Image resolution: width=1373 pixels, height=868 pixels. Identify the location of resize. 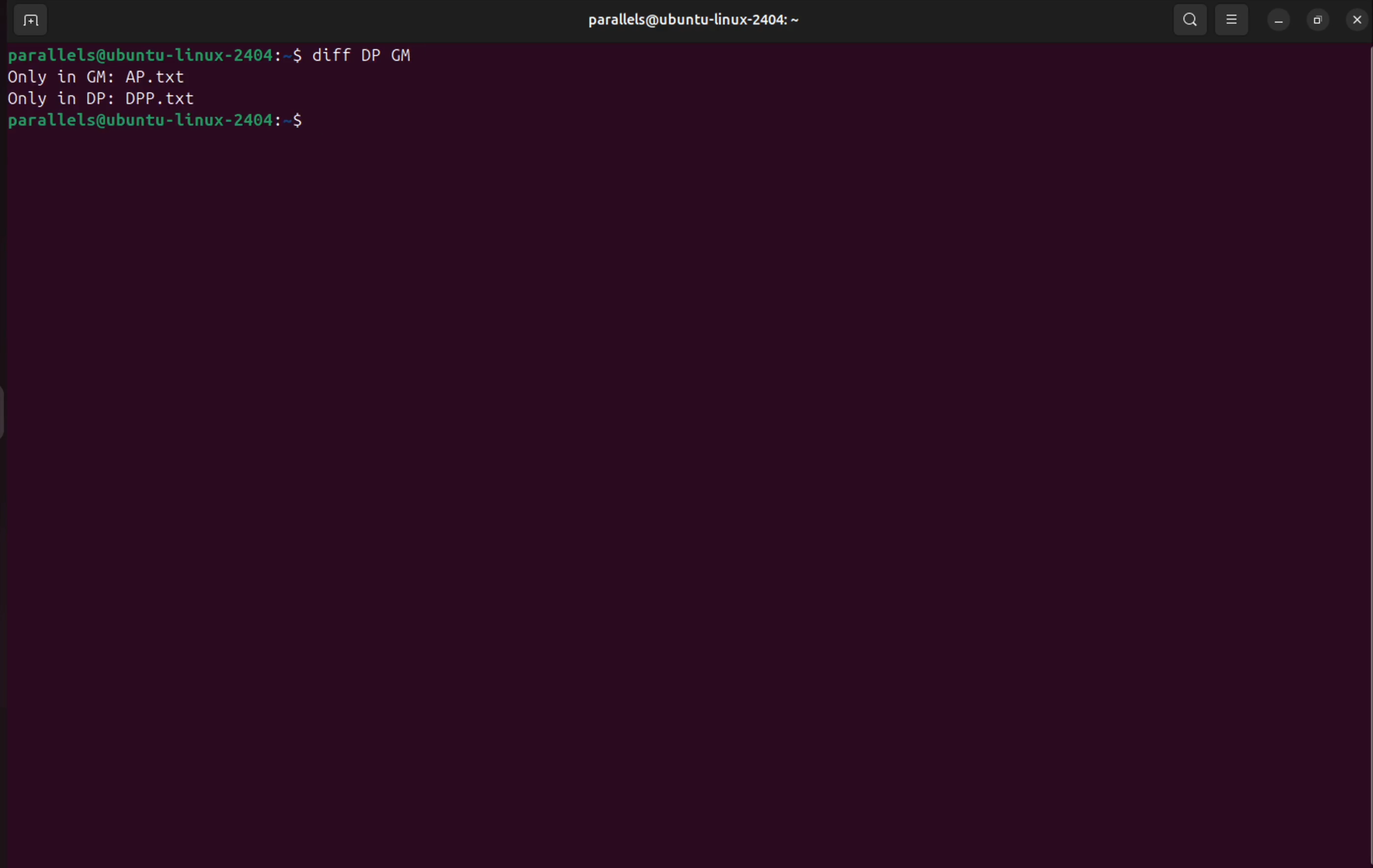
(1320, 21).